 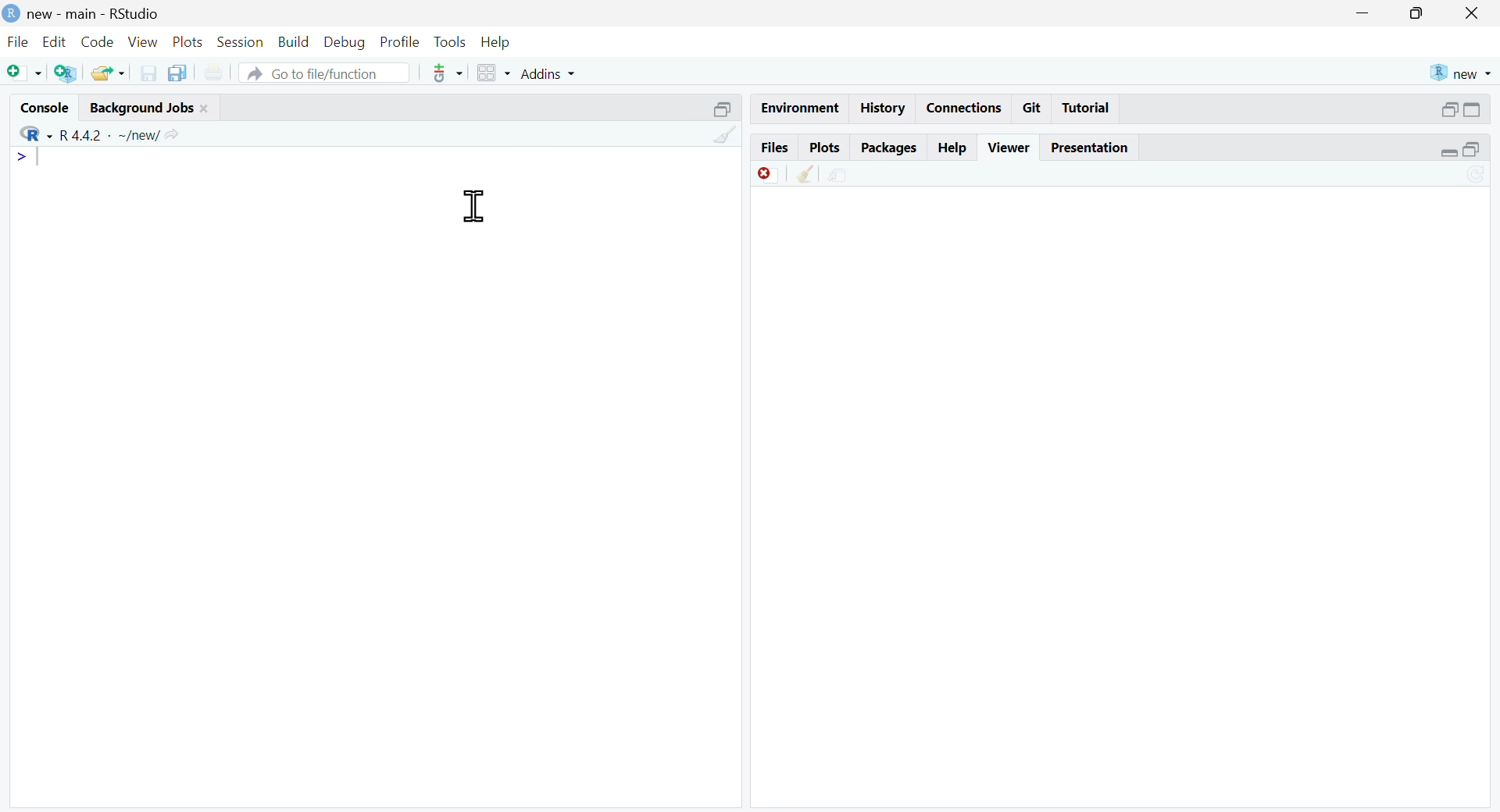 I want to click on session, so click(x=241, y=41).